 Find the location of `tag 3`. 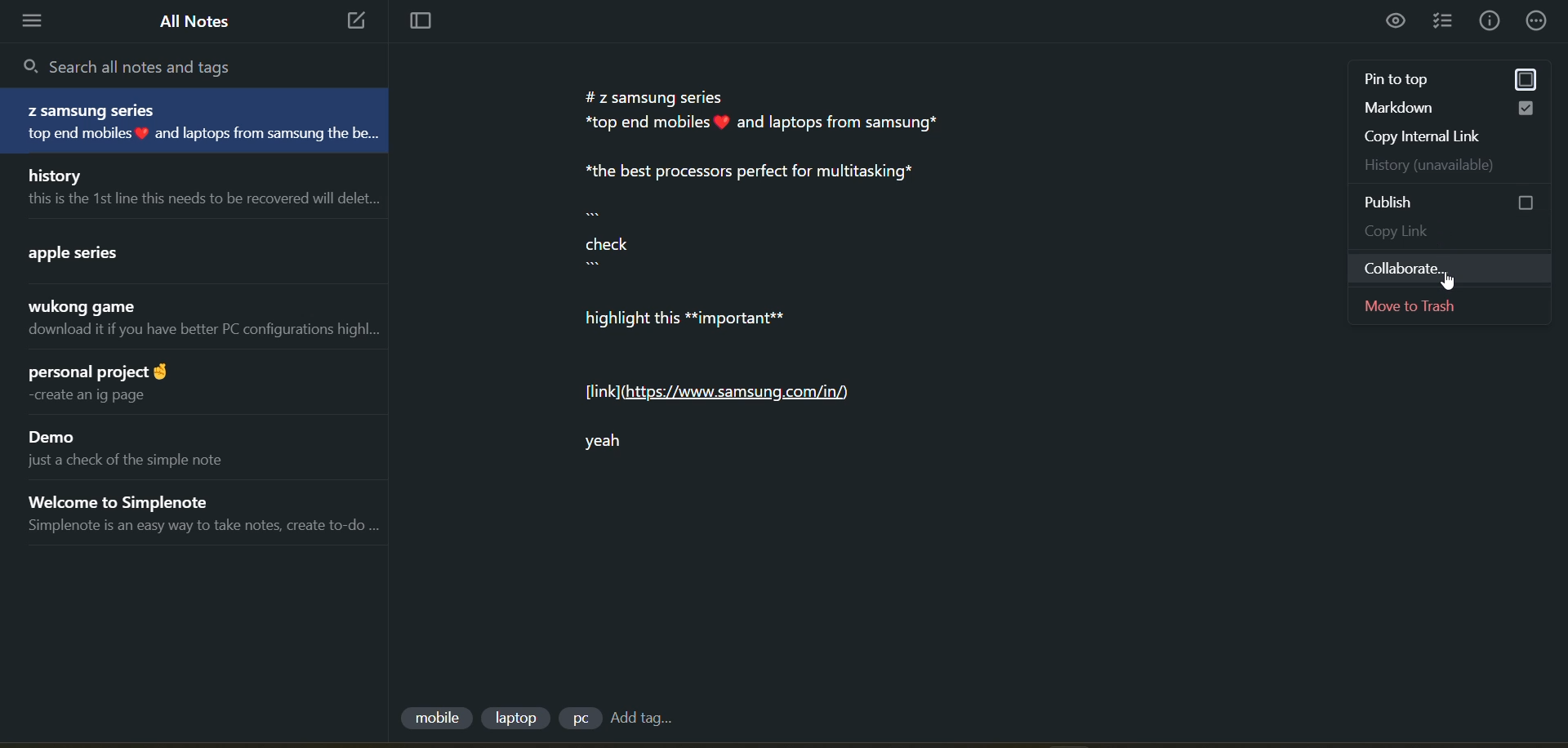

tag 3 is located at coordinates (579, 718).